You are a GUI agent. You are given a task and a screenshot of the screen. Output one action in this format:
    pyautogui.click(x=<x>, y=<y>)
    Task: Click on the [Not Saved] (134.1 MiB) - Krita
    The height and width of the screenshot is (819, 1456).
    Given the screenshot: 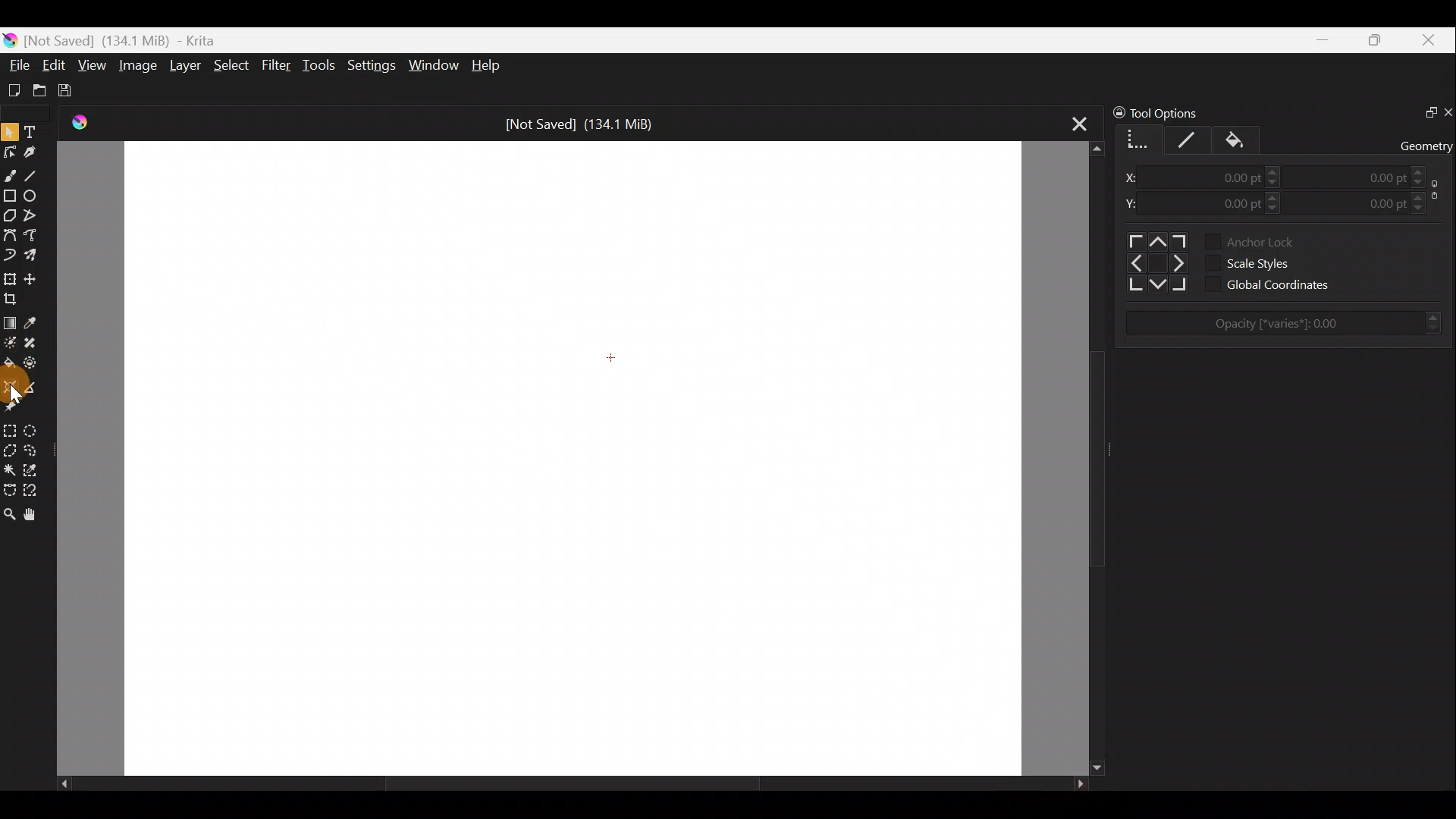 What is the action you would take?
    pyautogui.click(x=132, y=41)
    